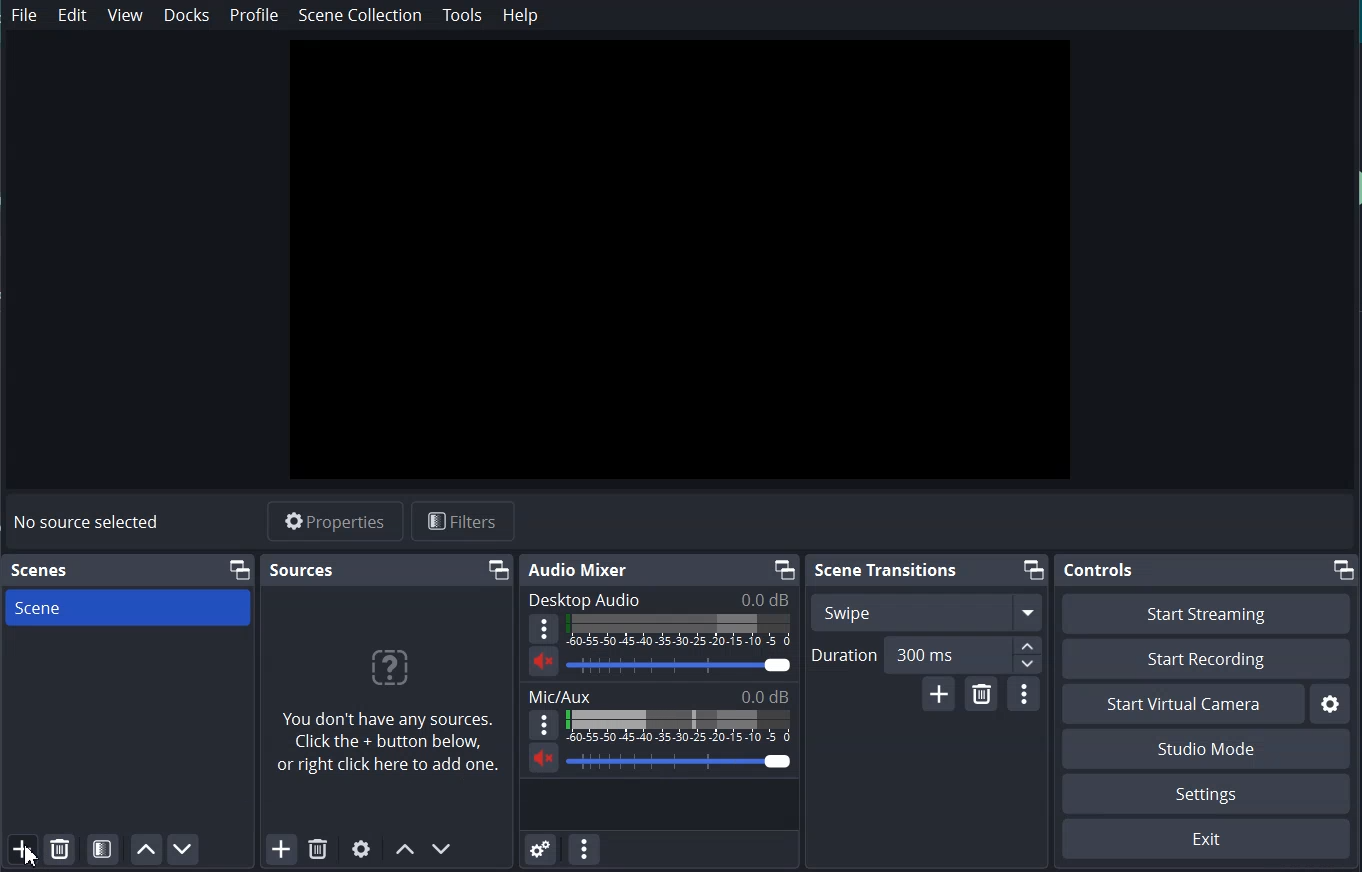 The width and height of the screenshot is (1362, 872). I want to click on Volume indicator, so click(681, 726).